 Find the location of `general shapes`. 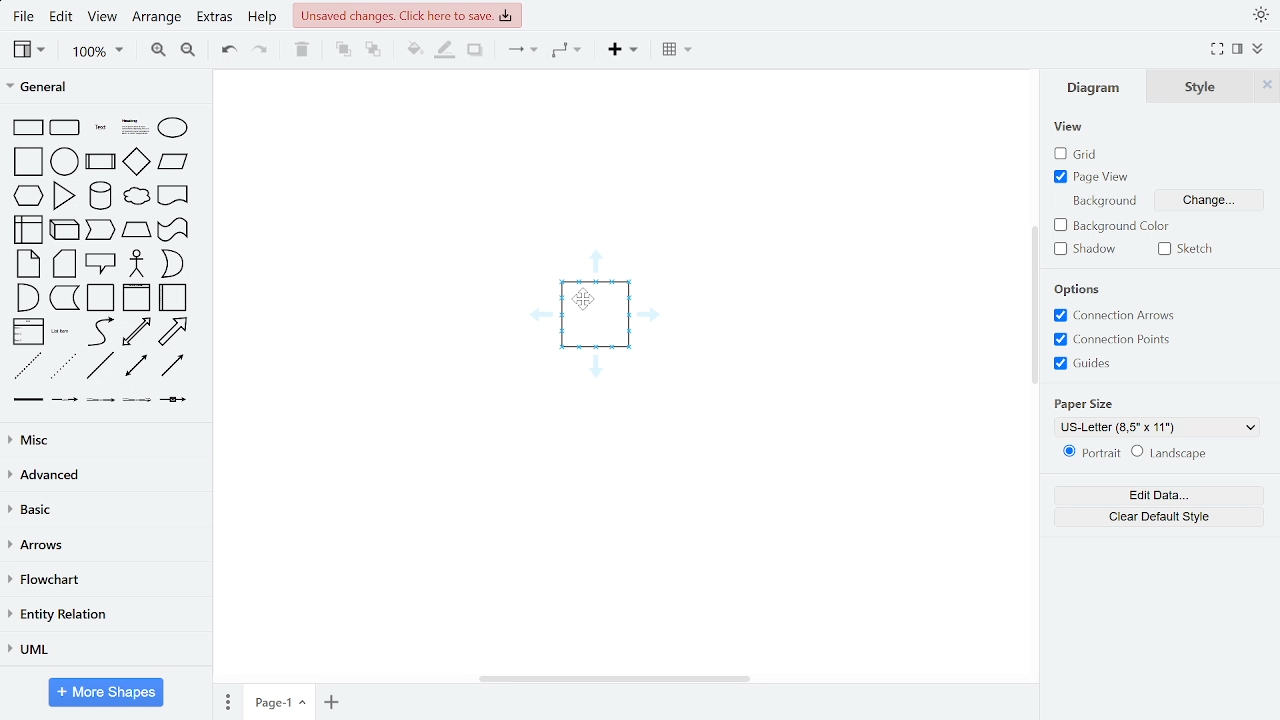

general shapes is located at coordinates (26, 296).